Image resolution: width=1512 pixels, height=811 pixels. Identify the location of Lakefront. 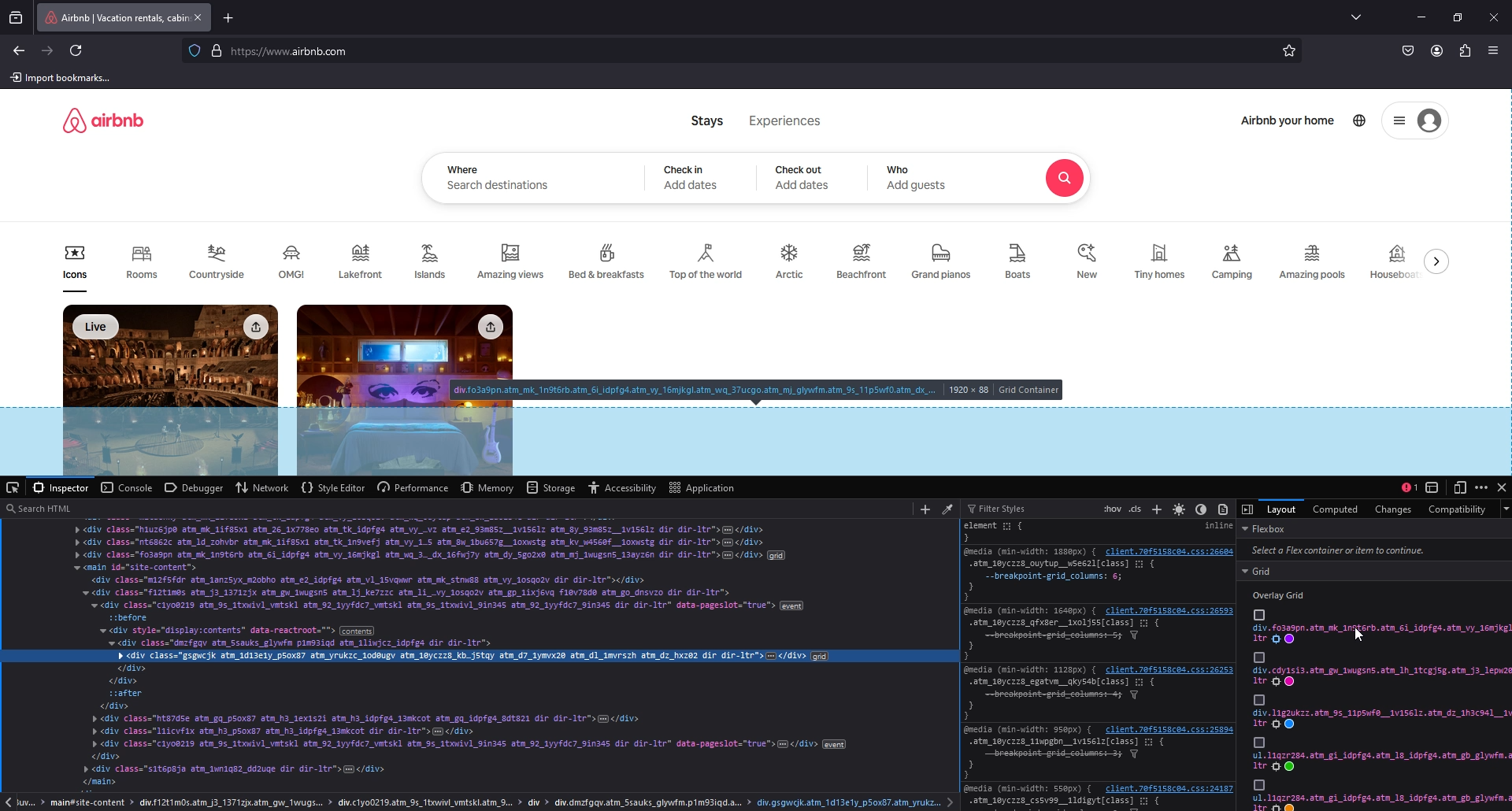
(363, 261).